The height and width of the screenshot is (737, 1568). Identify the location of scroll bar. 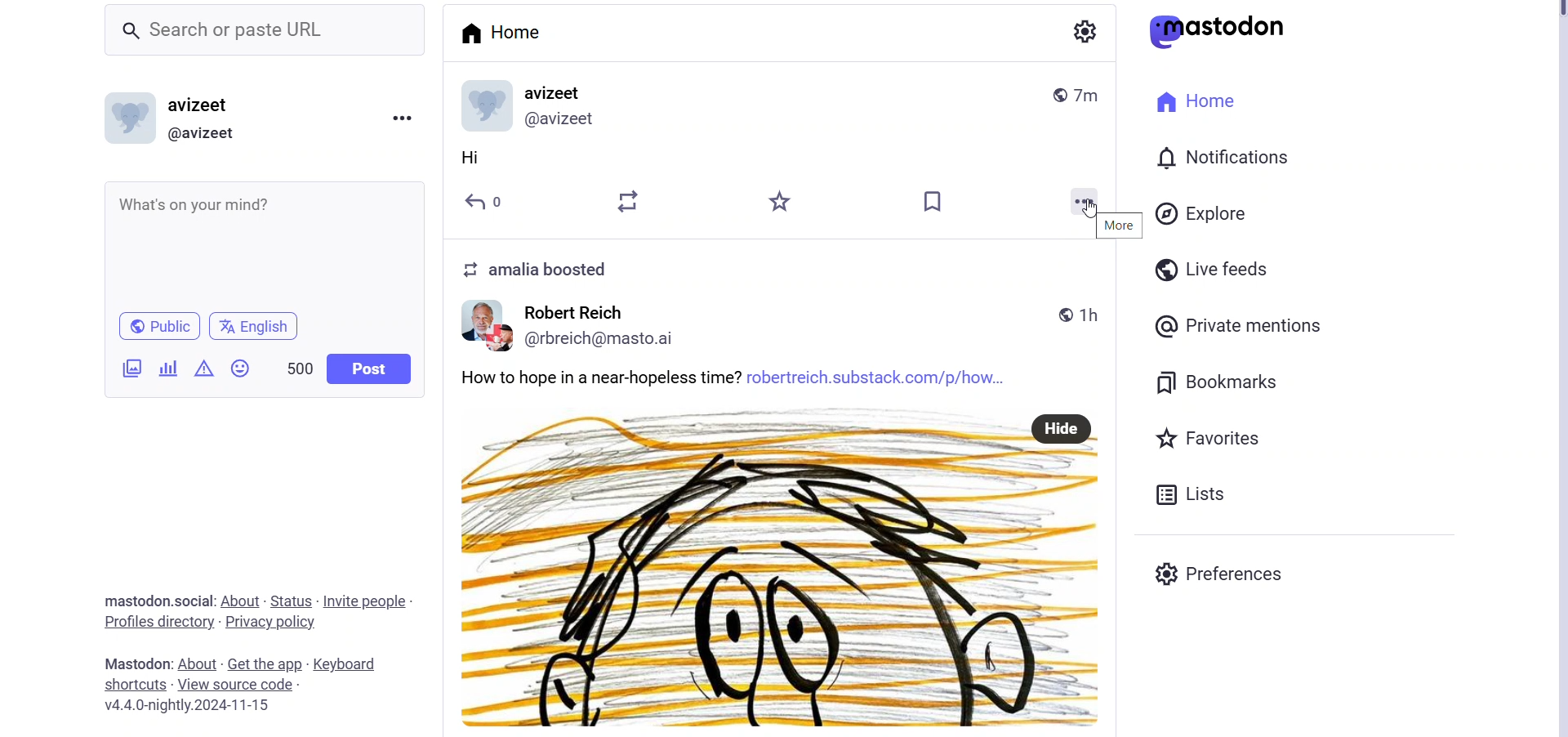
(1559, 371).